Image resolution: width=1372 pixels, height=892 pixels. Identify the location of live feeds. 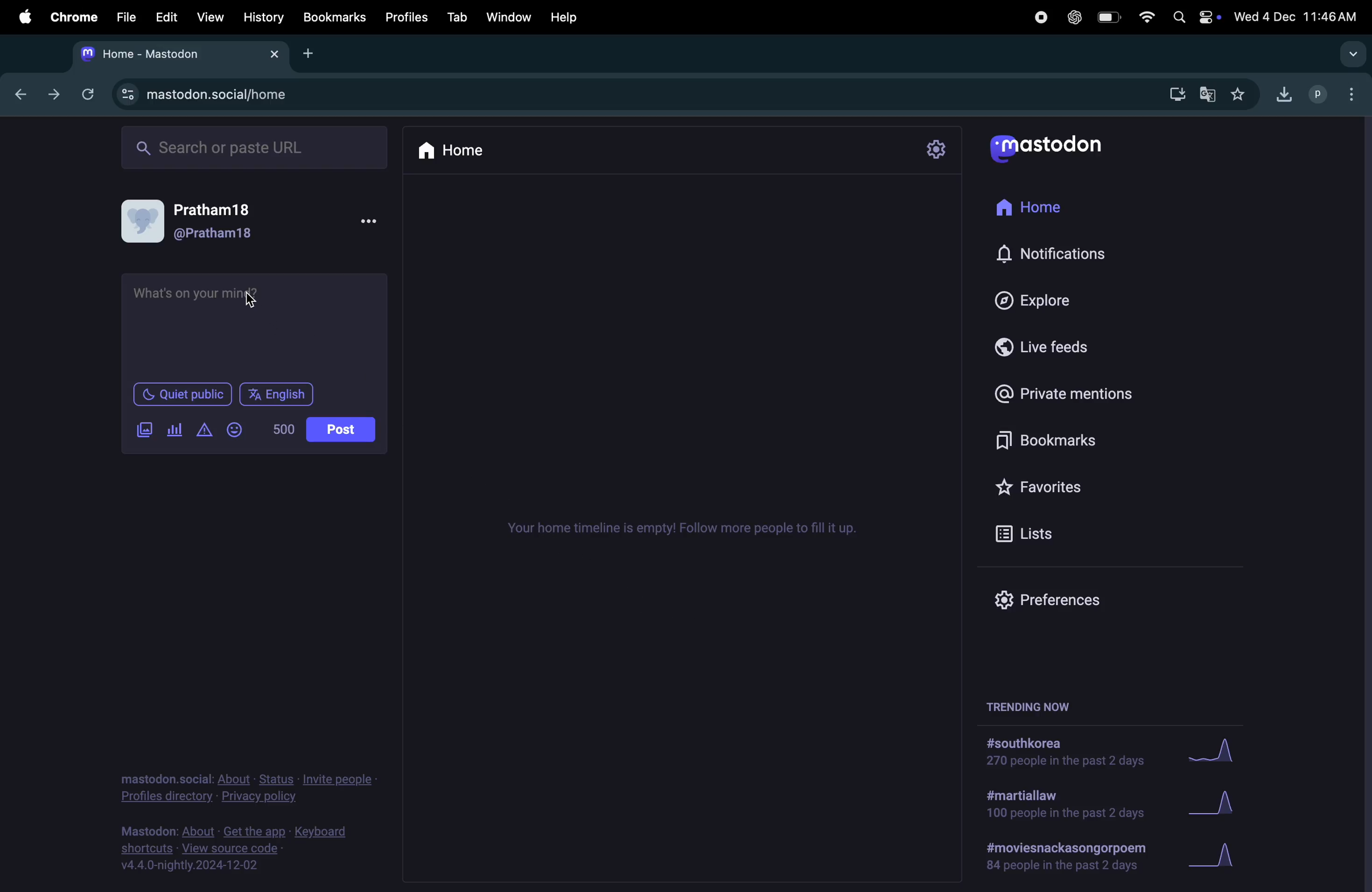
(1045, 351).